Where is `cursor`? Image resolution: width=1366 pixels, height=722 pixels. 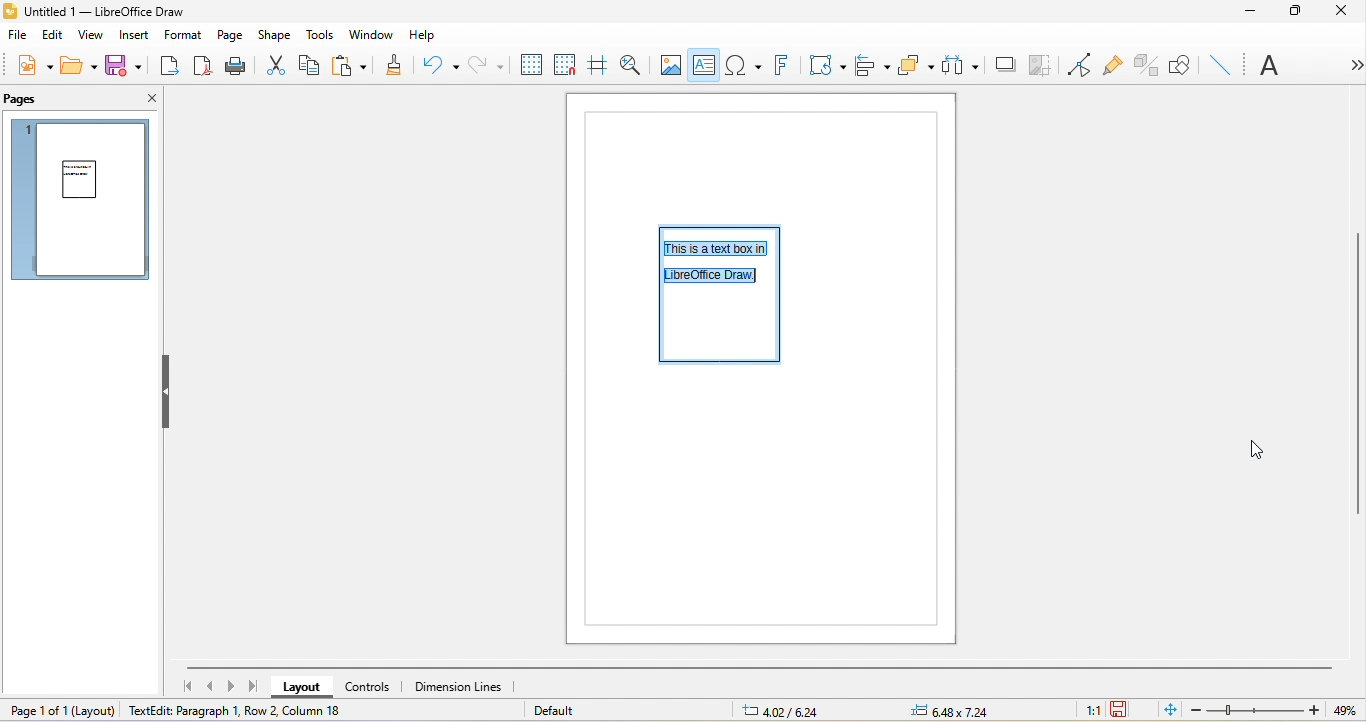
cursor is located at coordinates (1258, 449).